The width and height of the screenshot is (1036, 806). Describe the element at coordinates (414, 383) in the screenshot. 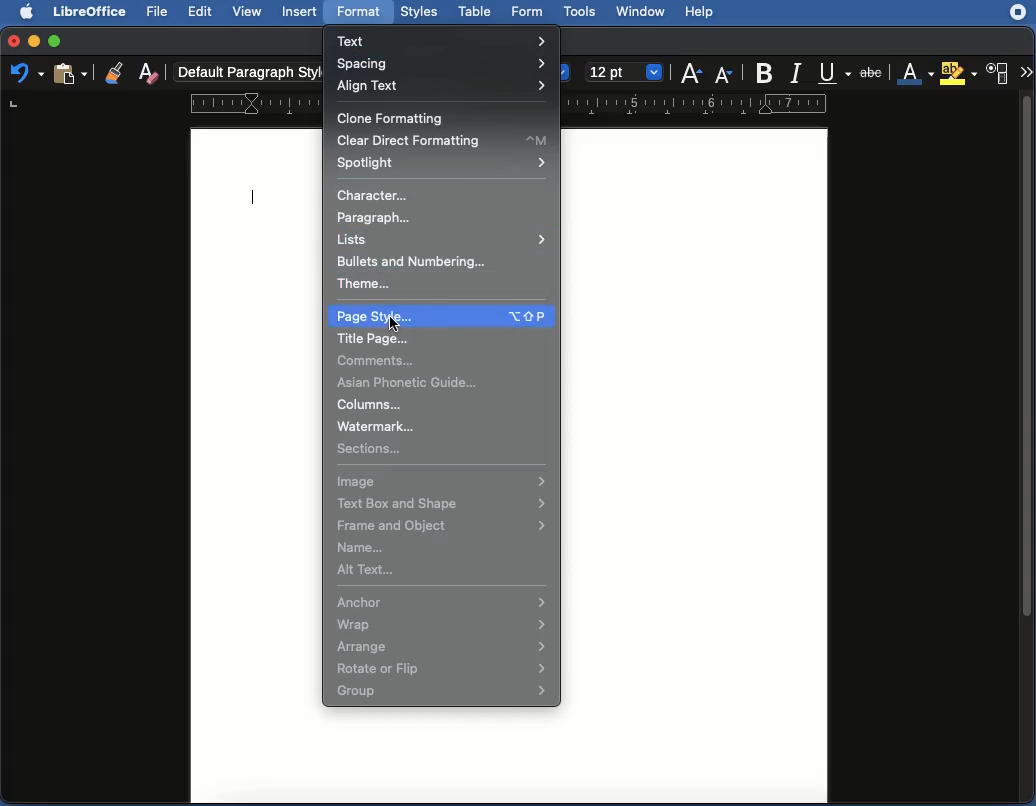

I see `Asian phonetic guide` at that location.